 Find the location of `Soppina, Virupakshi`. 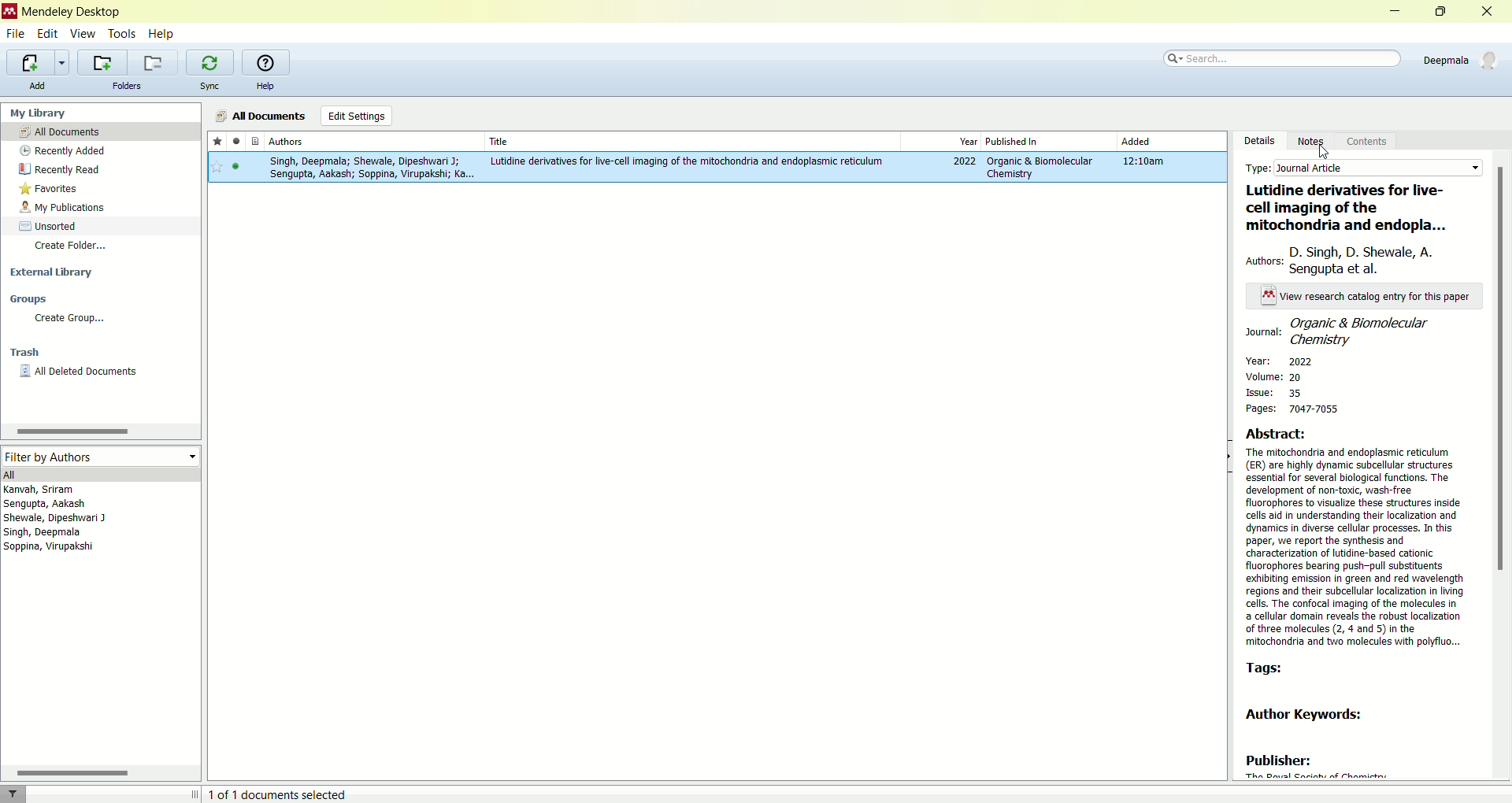

Soppina, Virupakshi is located at coordinates (49, 549).